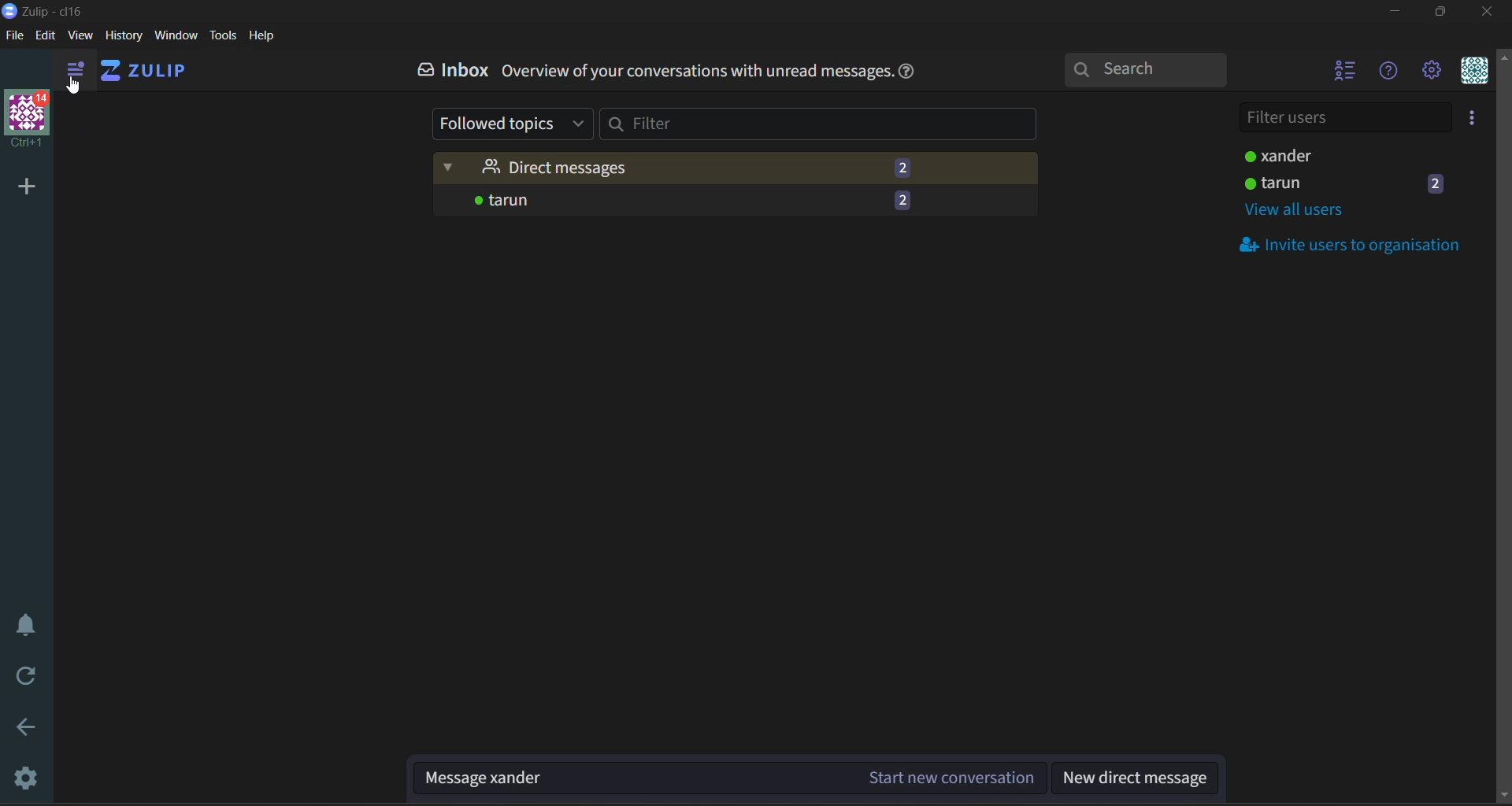 This screenshot has width=1512, height=806. What do you see at coordinates (640, 69) in the screenshot?
I see `Inbox. Overview of your conversations with unread messages.` at bounding box center [640, 69].